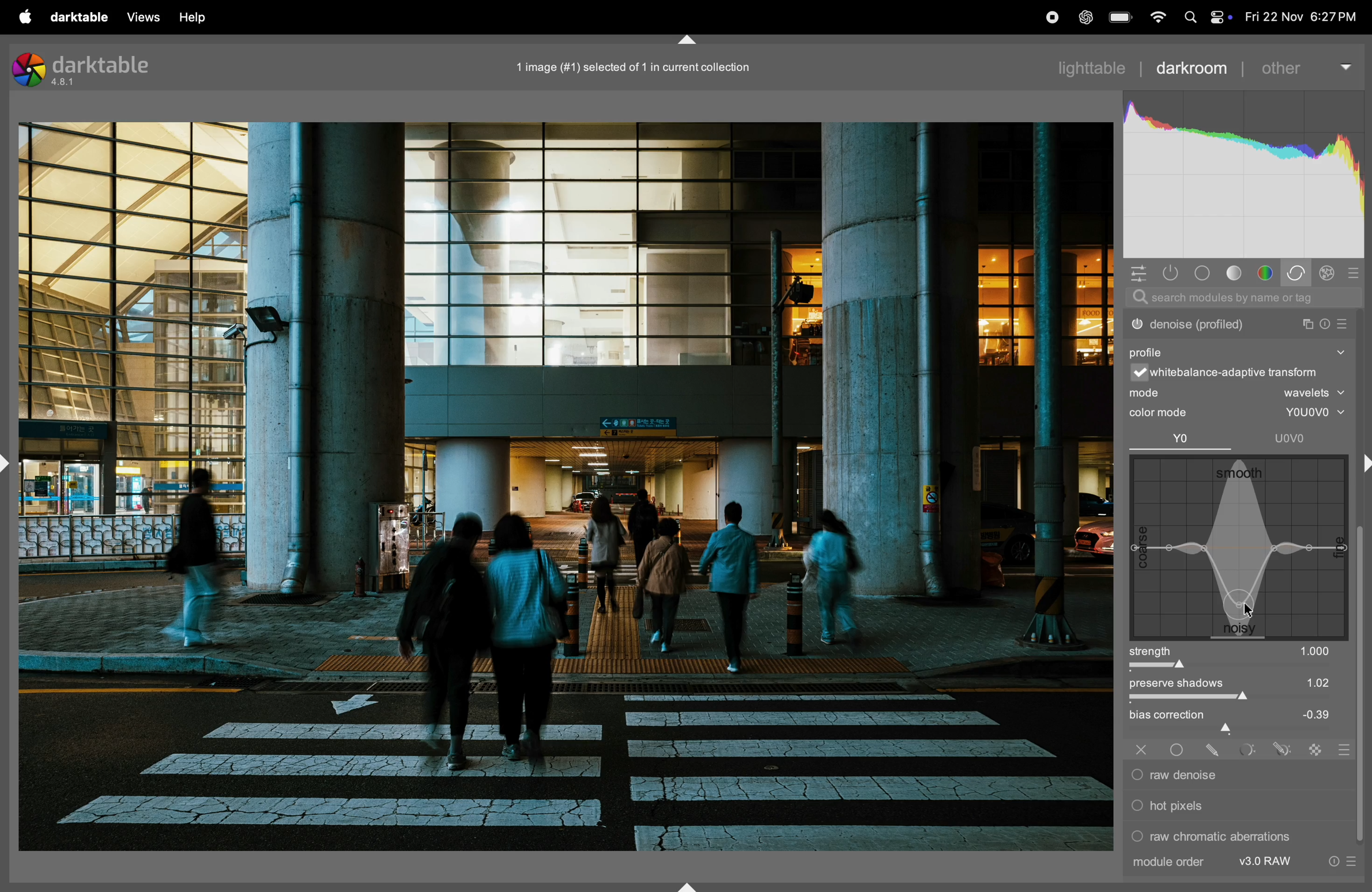 The width and height of the screenshot is (1372, 892). I want to click on wave box, so click(1237, 547).